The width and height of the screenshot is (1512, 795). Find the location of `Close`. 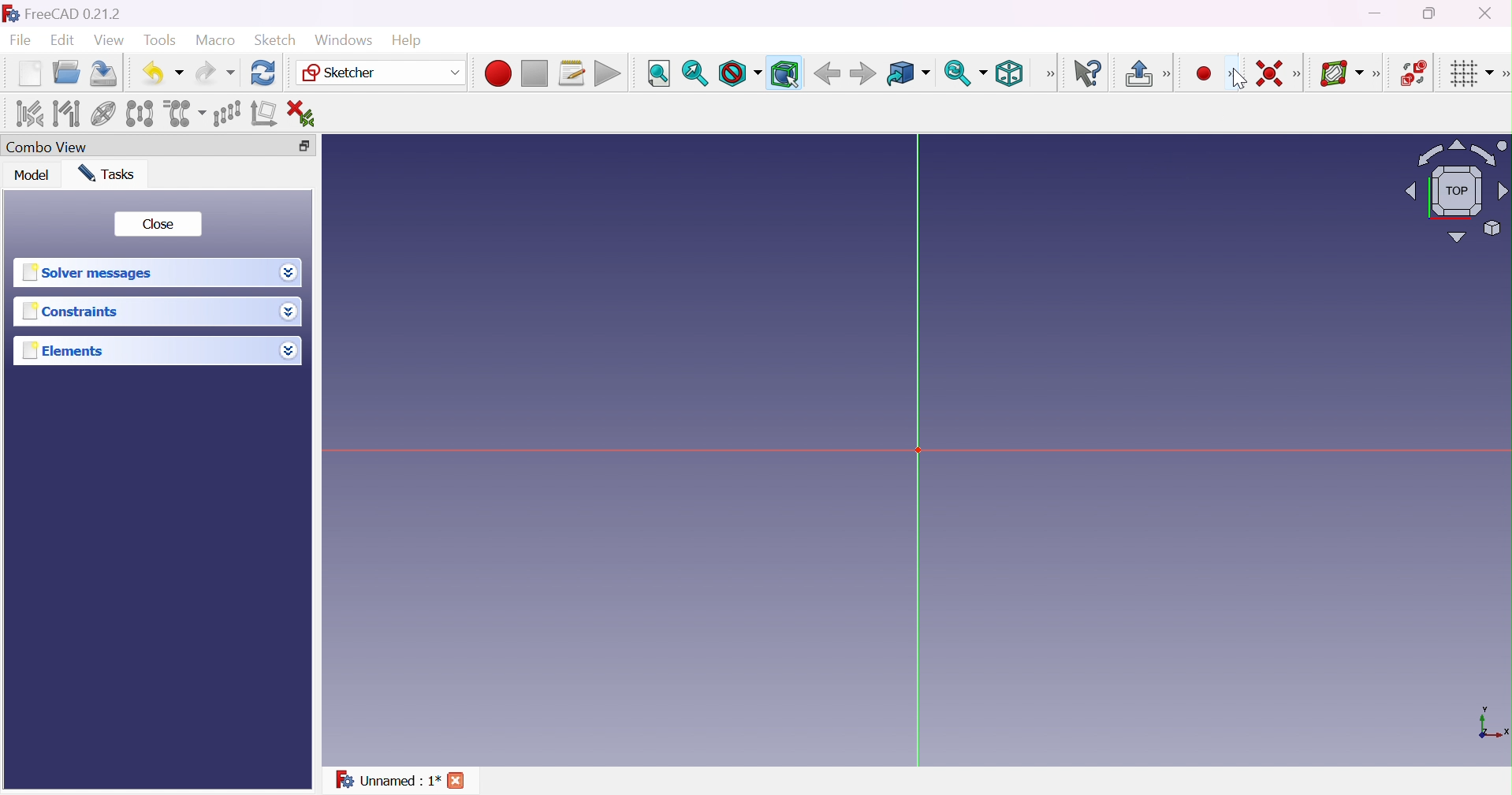

Close is located at coordinates (456, 781).